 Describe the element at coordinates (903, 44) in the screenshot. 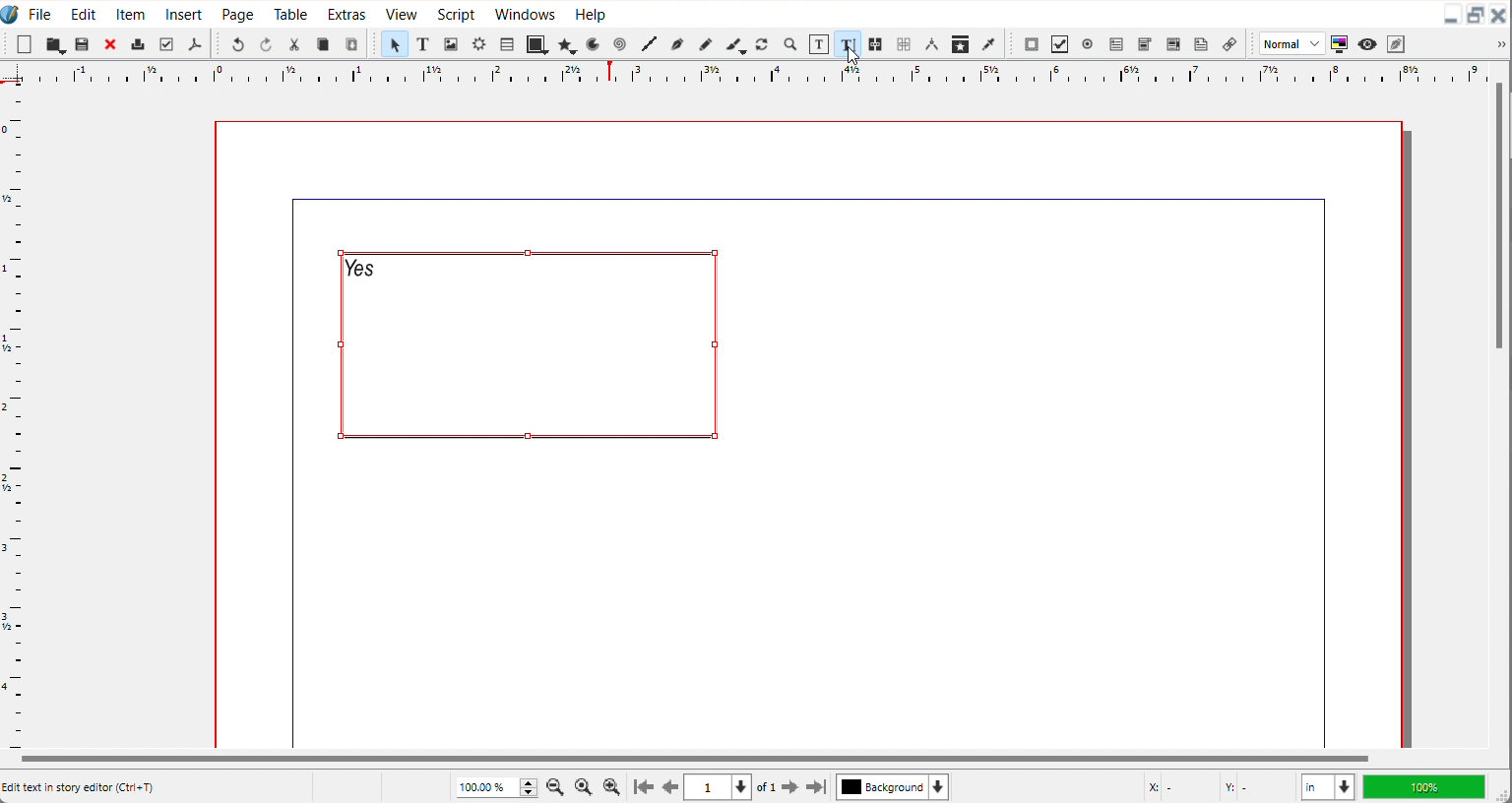

I see `Unlink text frame` at that location.